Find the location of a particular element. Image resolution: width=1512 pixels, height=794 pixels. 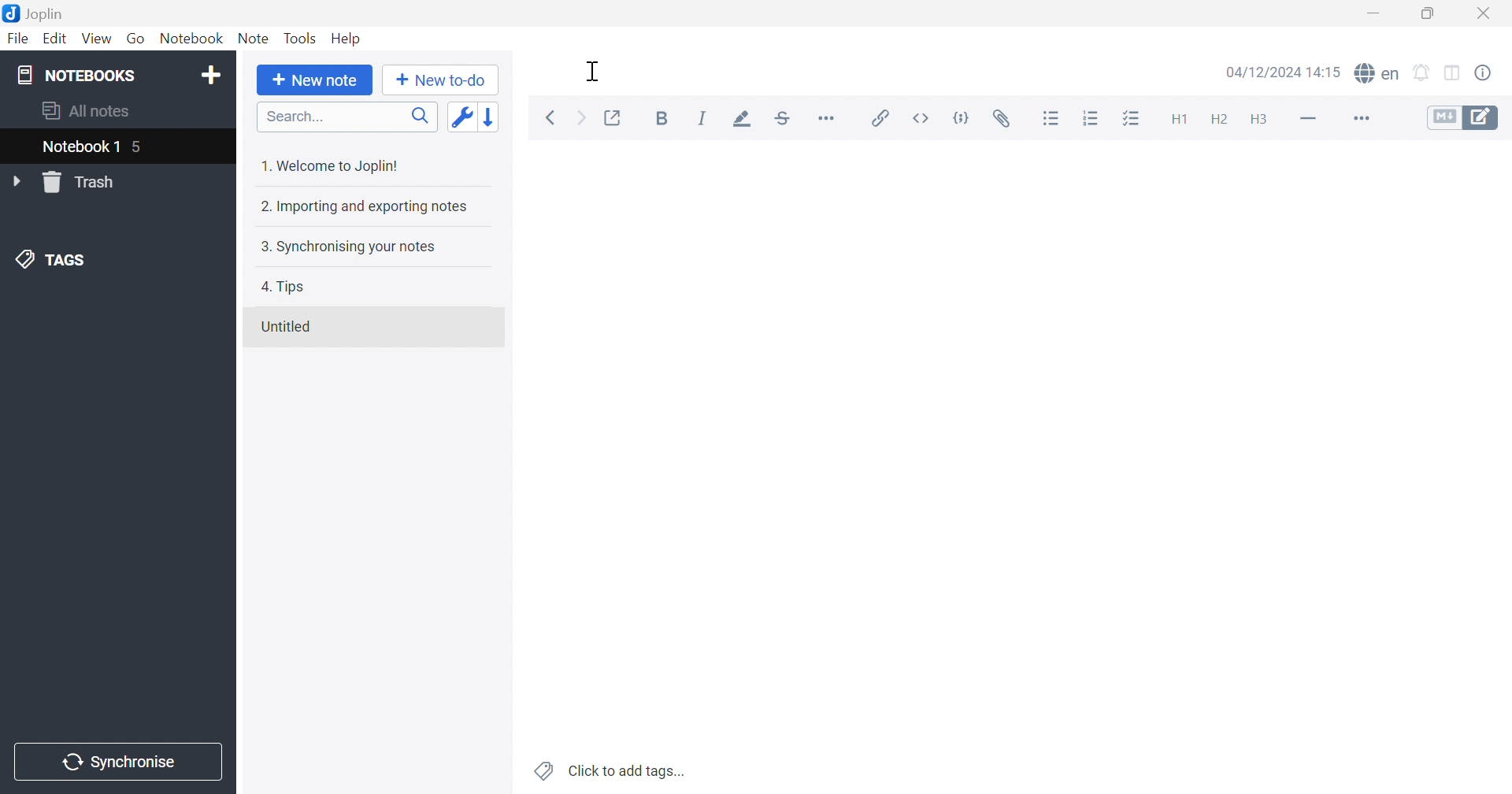

Help is located at coordinates (347, 39).